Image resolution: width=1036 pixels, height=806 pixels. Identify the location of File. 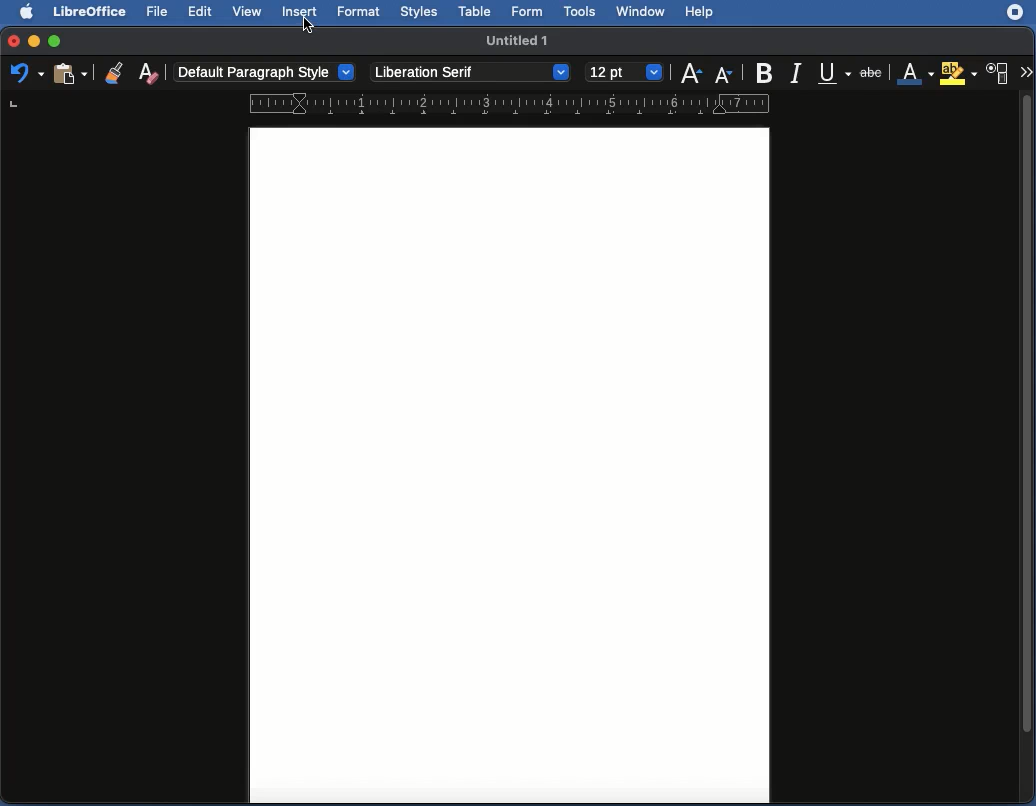
(159, 12).